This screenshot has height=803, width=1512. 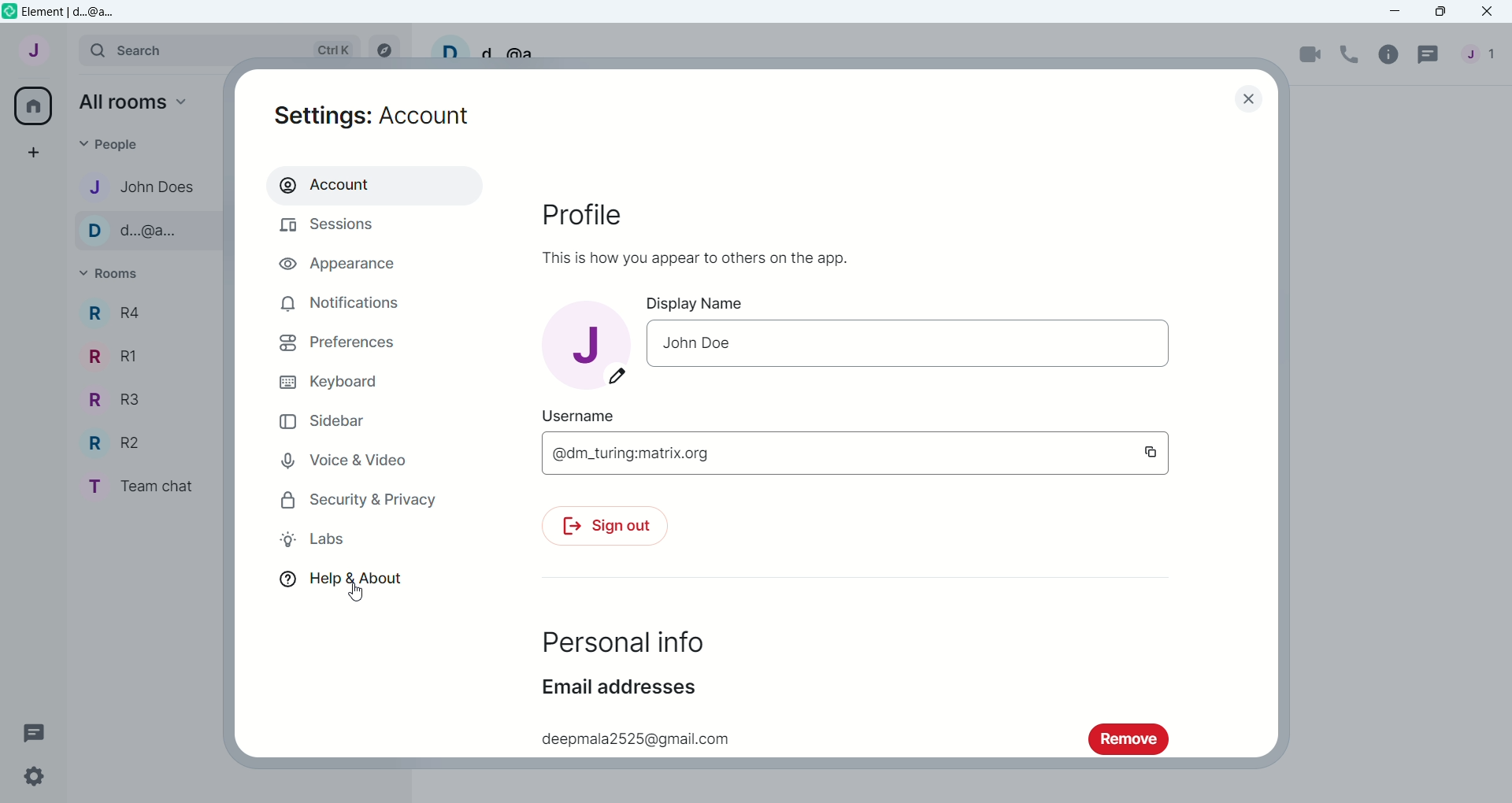 I want to click on Explore rooms, so click(x=384, y=48).